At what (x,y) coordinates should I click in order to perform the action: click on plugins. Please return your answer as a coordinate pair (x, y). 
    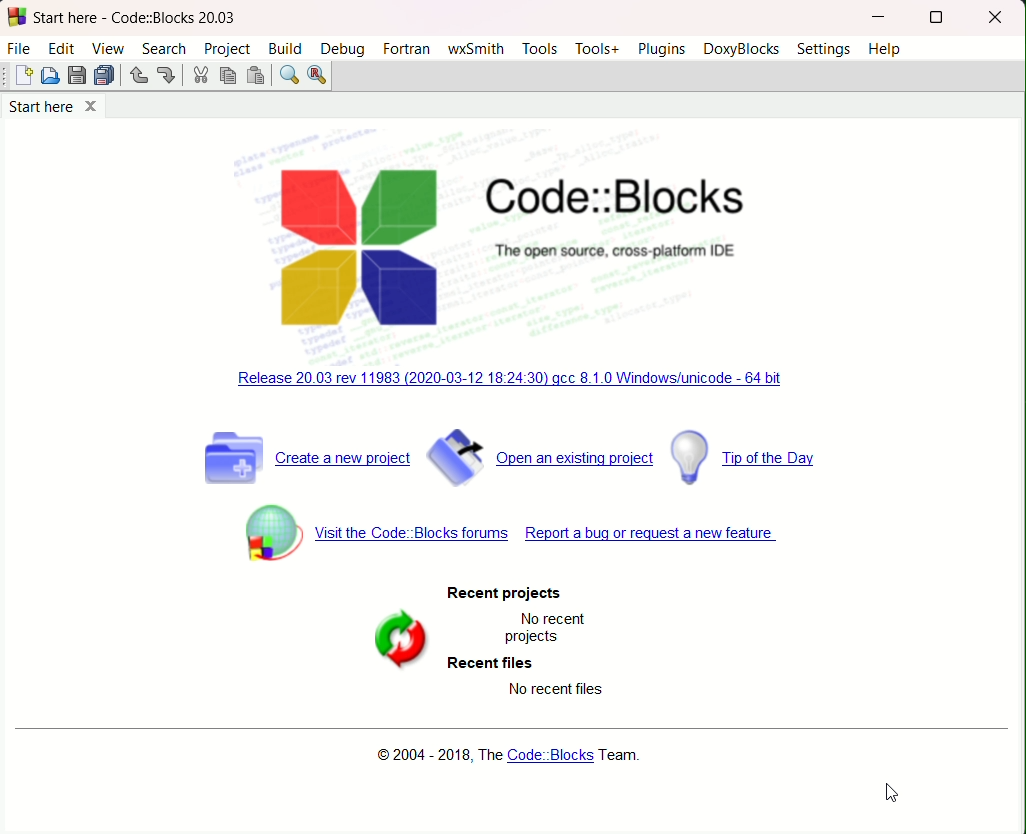
    Looking at the image, I should click on (661, 50).